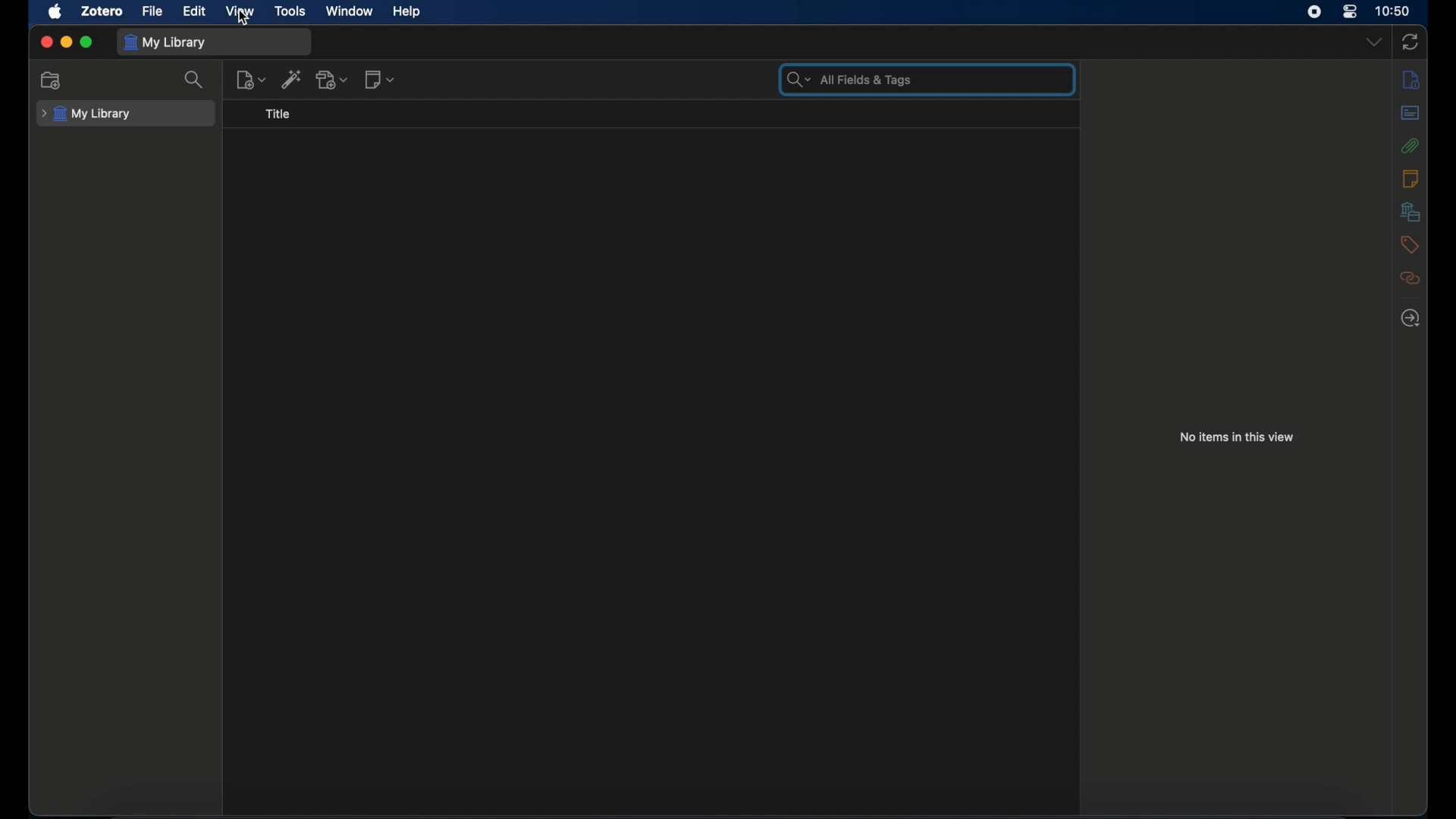 This screenshot has width=1456, height=819. What do you see at coordinates (152, 11) in the screenshot?
I see `file` at bounding box center [152, 11].